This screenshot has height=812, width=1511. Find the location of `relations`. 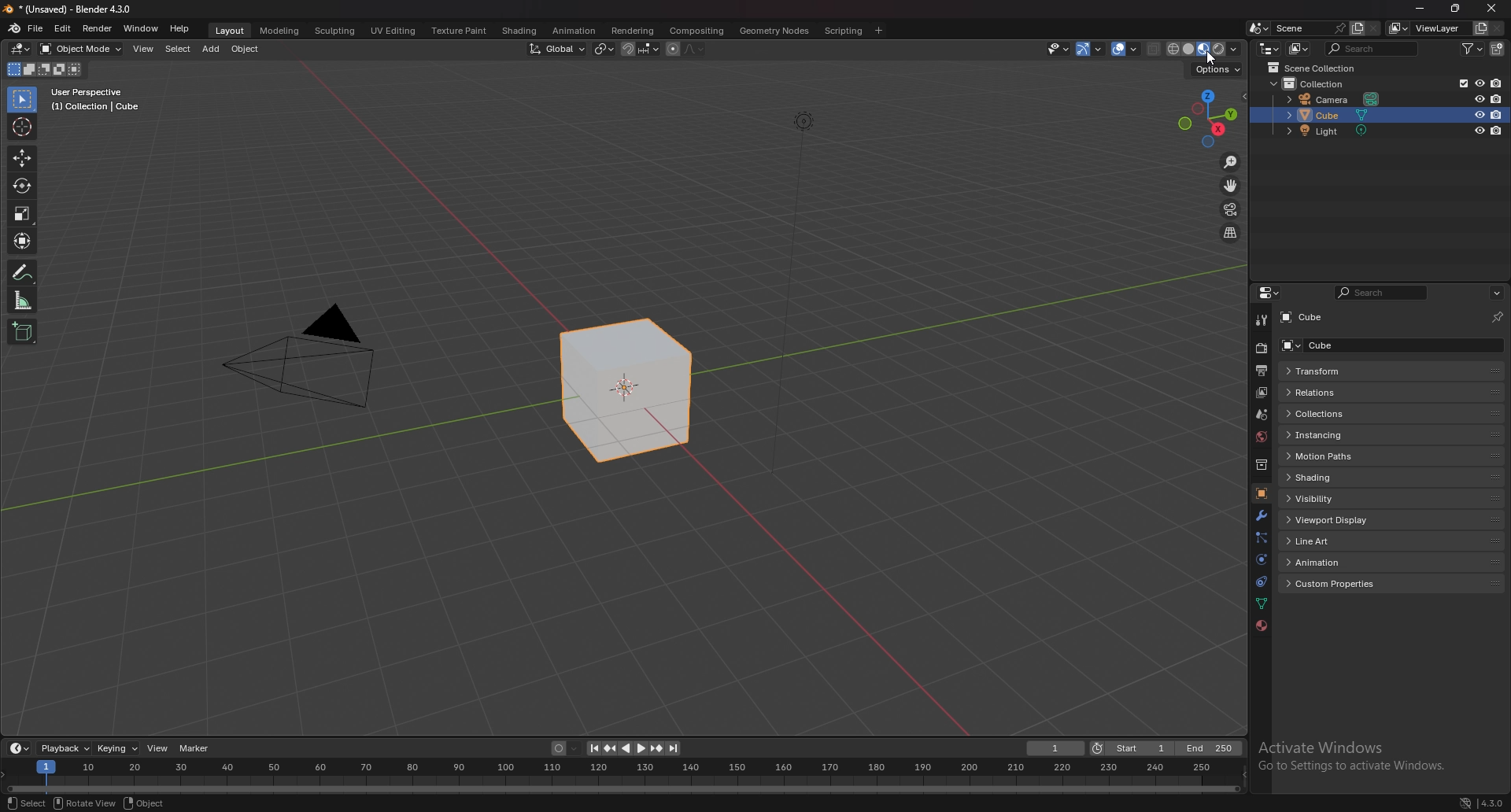

relations is located at coordinates (1363, 392).